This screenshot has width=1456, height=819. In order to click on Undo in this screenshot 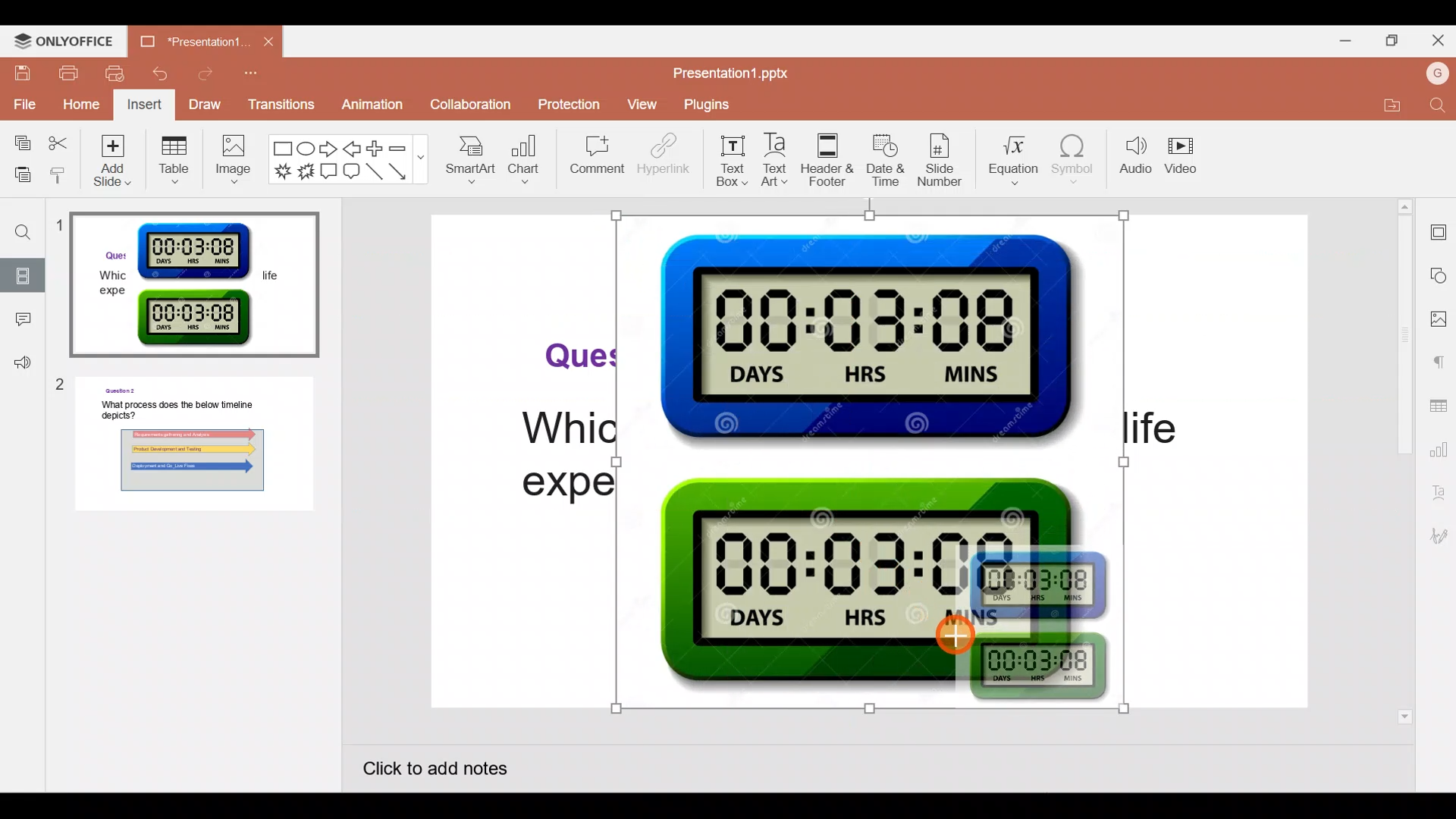, I will do `click(167, 74)`.